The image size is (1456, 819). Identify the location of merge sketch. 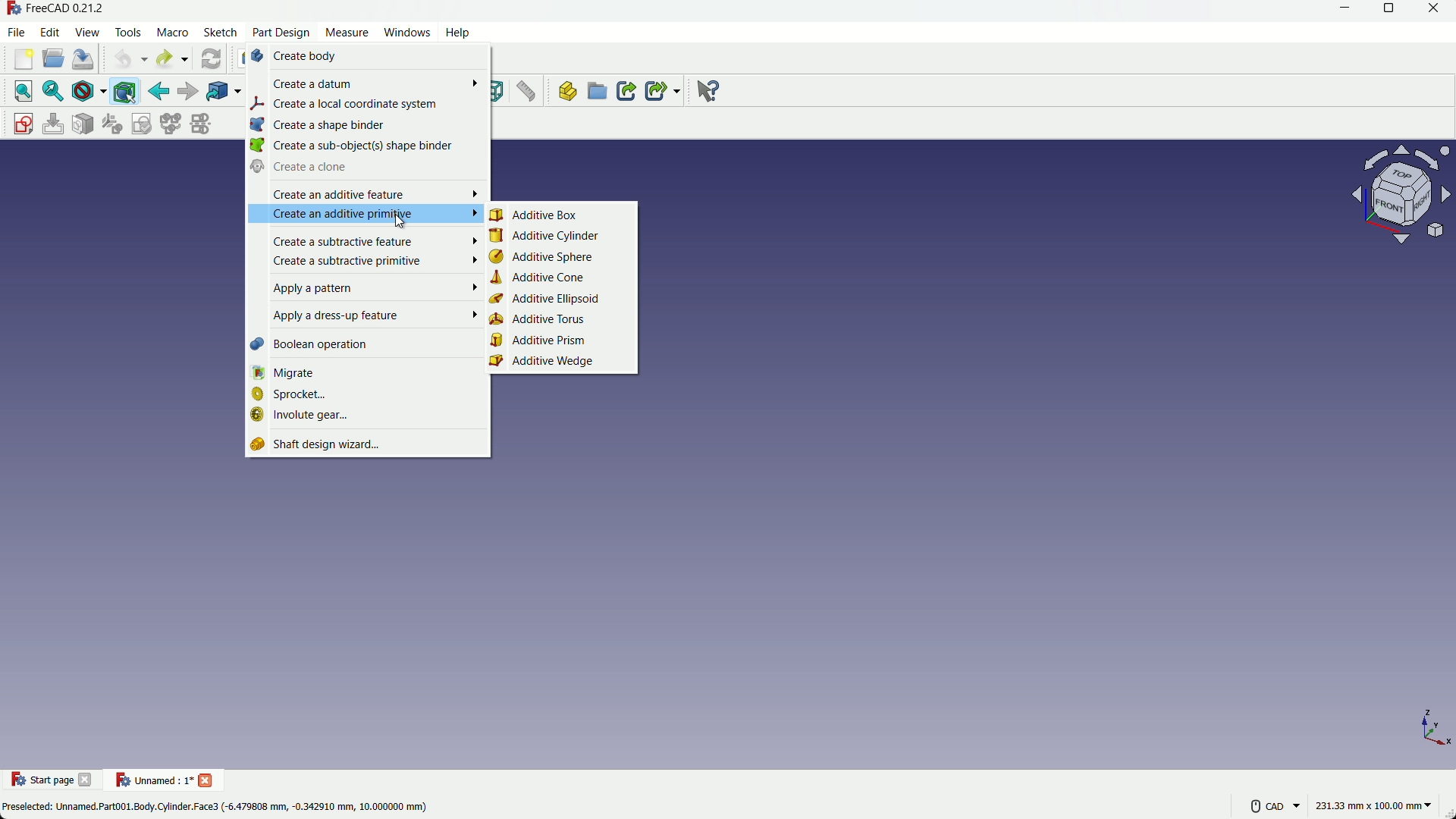
(169, 124).